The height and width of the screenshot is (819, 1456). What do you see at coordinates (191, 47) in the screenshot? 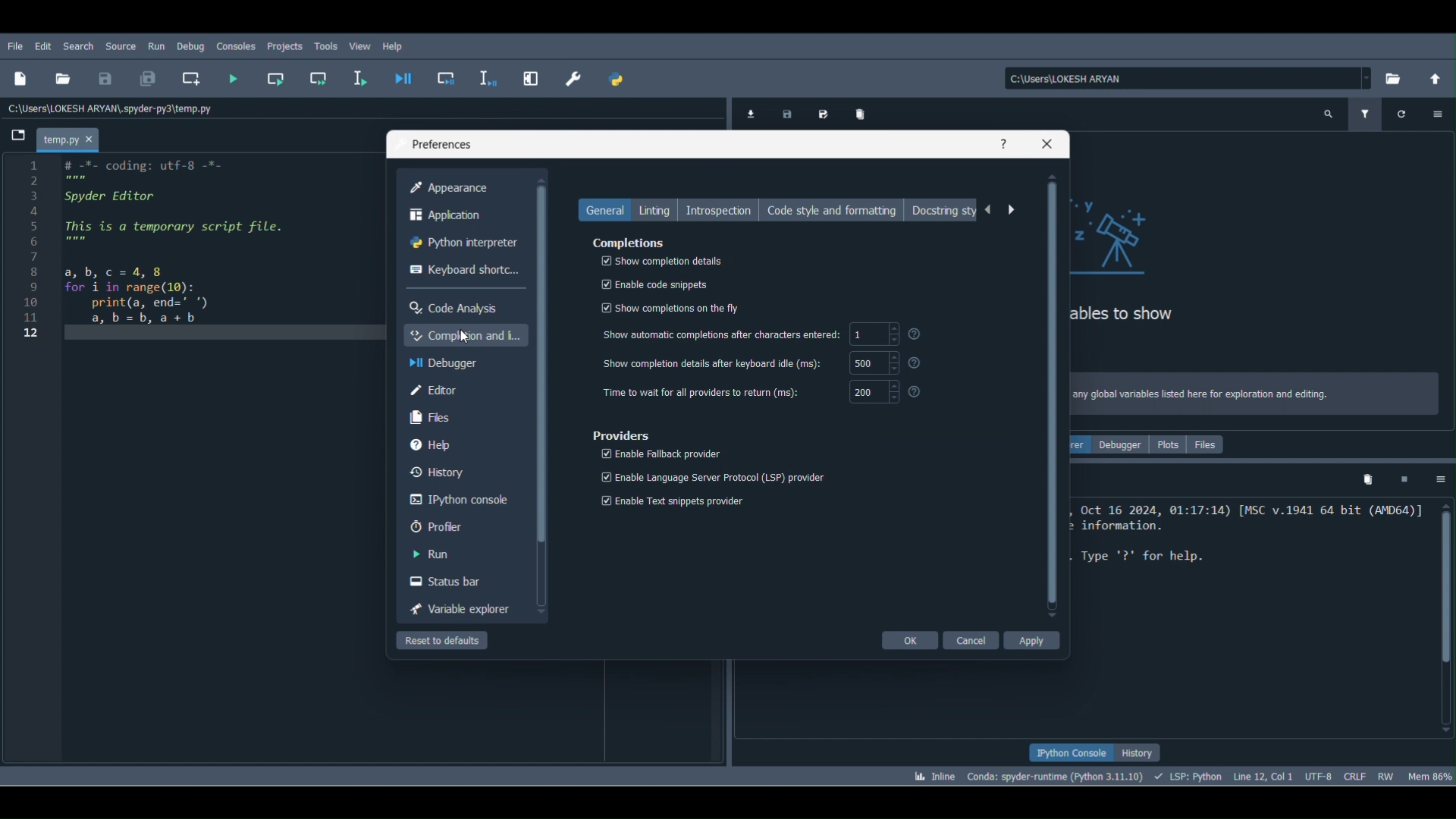
I see `Debug` at bounding box center [191, 47].